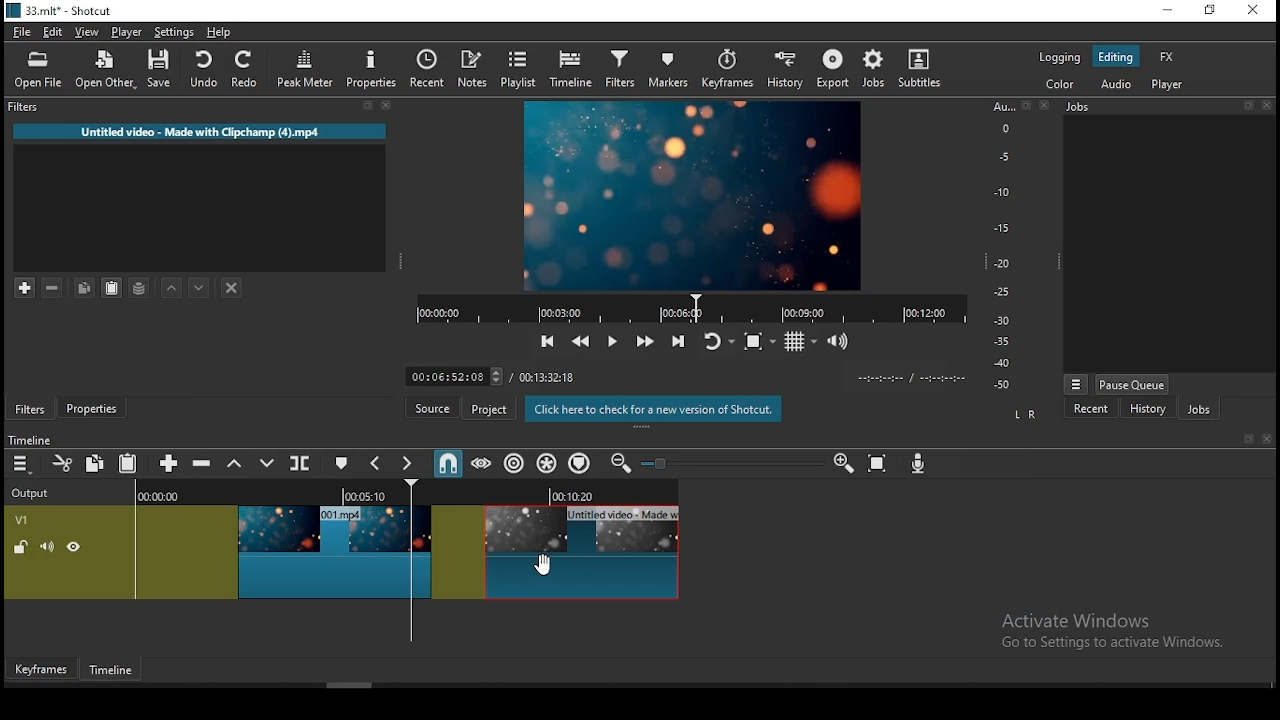 This screenshot has height=720, width=1280. I want to click on settings, so click(176, 32).